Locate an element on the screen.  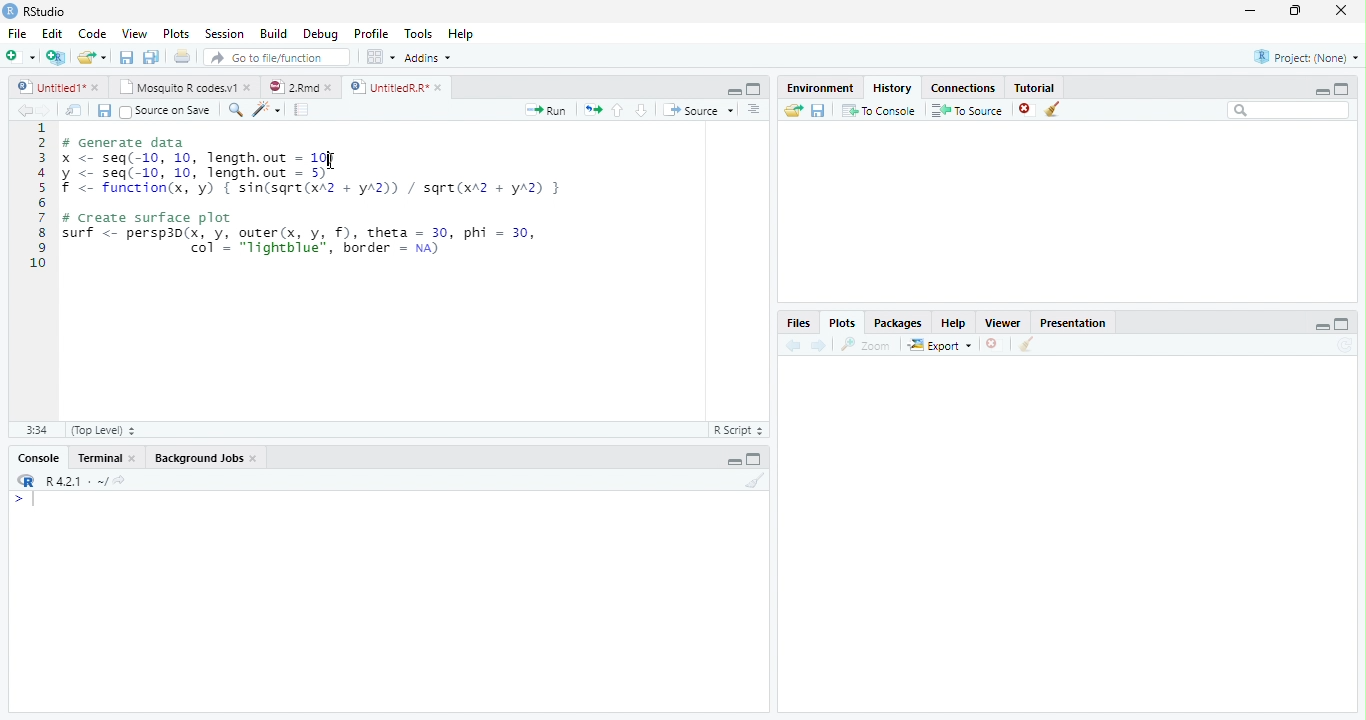
Close is located at coordinates (254, 458).